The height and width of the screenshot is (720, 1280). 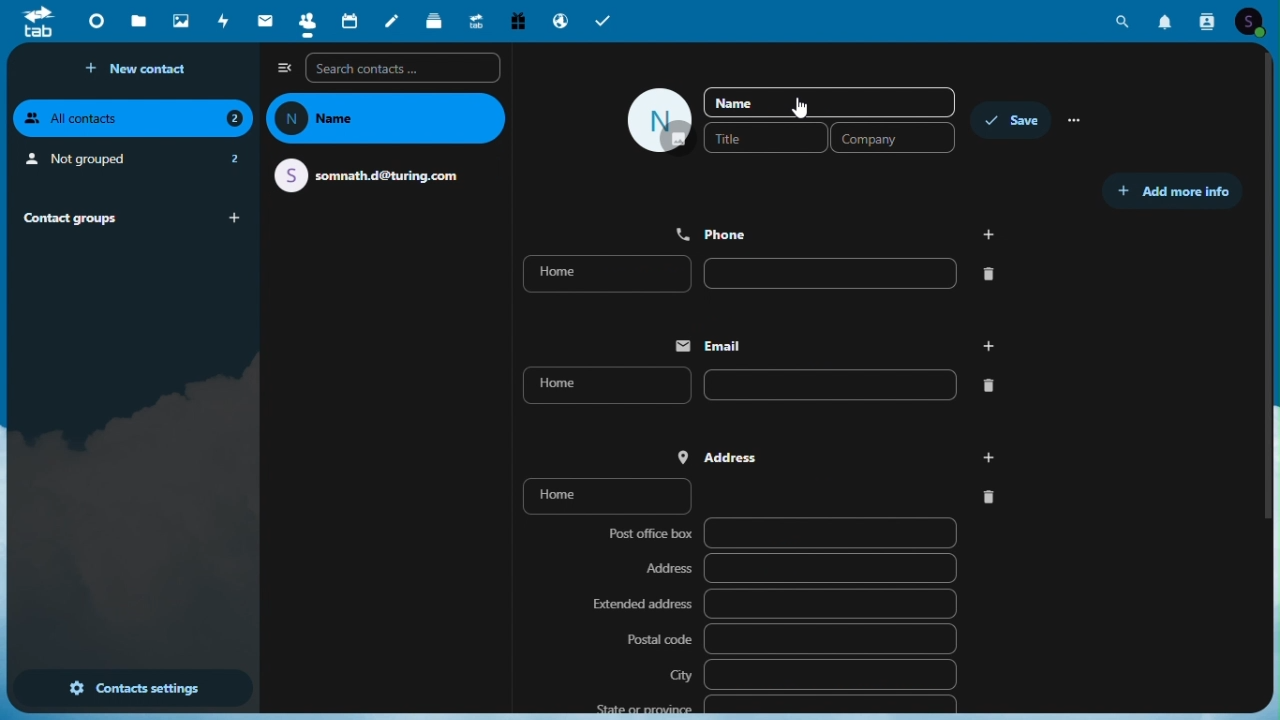 What do you see at coordinates (303, 22) in the screenshot?
I see `Contacts` at bounding box center [303, 22].